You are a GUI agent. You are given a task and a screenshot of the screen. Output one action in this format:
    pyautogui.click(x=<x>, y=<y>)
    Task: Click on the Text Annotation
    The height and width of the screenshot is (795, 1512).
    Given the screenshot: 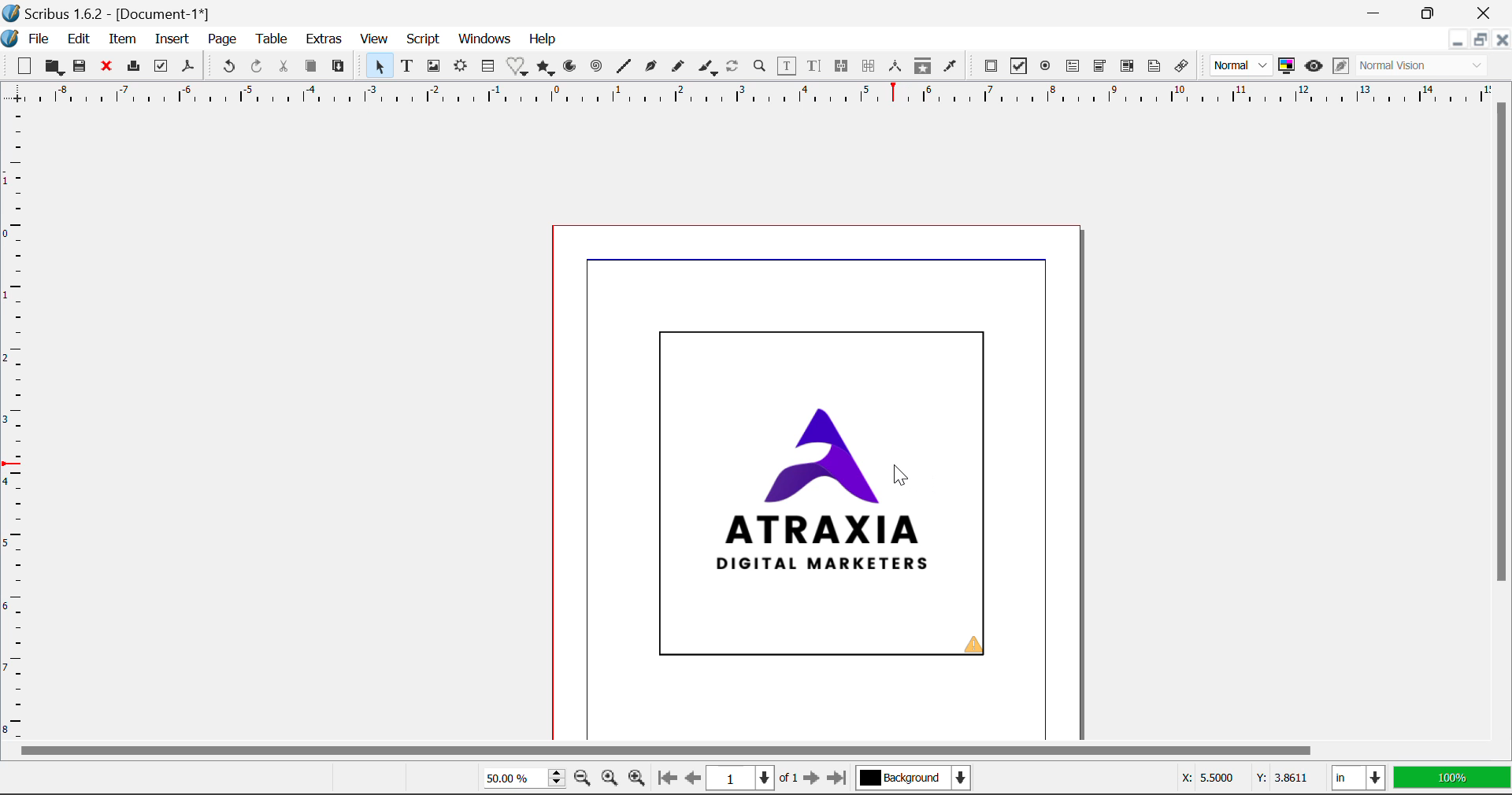 What is the action you would take?
    pyautogui.click(x=1154, y=68)
    